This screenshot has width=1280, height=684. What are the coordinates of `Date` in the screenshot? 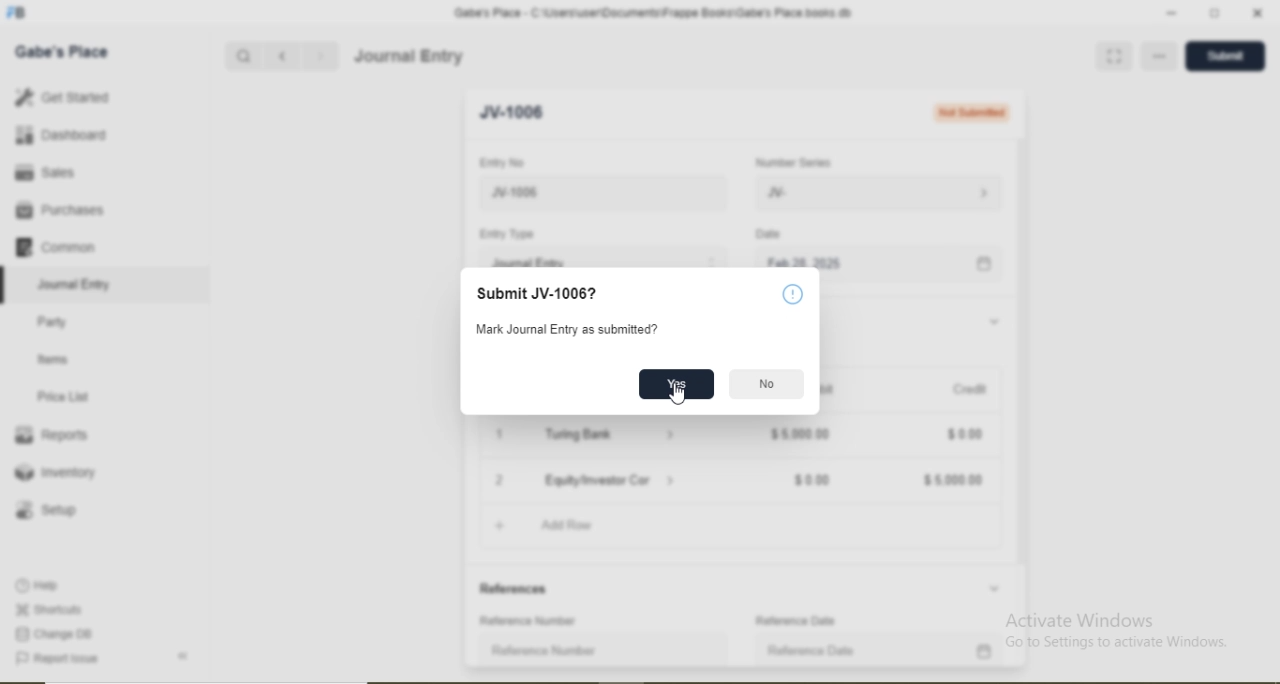 It's located at (767, 233).